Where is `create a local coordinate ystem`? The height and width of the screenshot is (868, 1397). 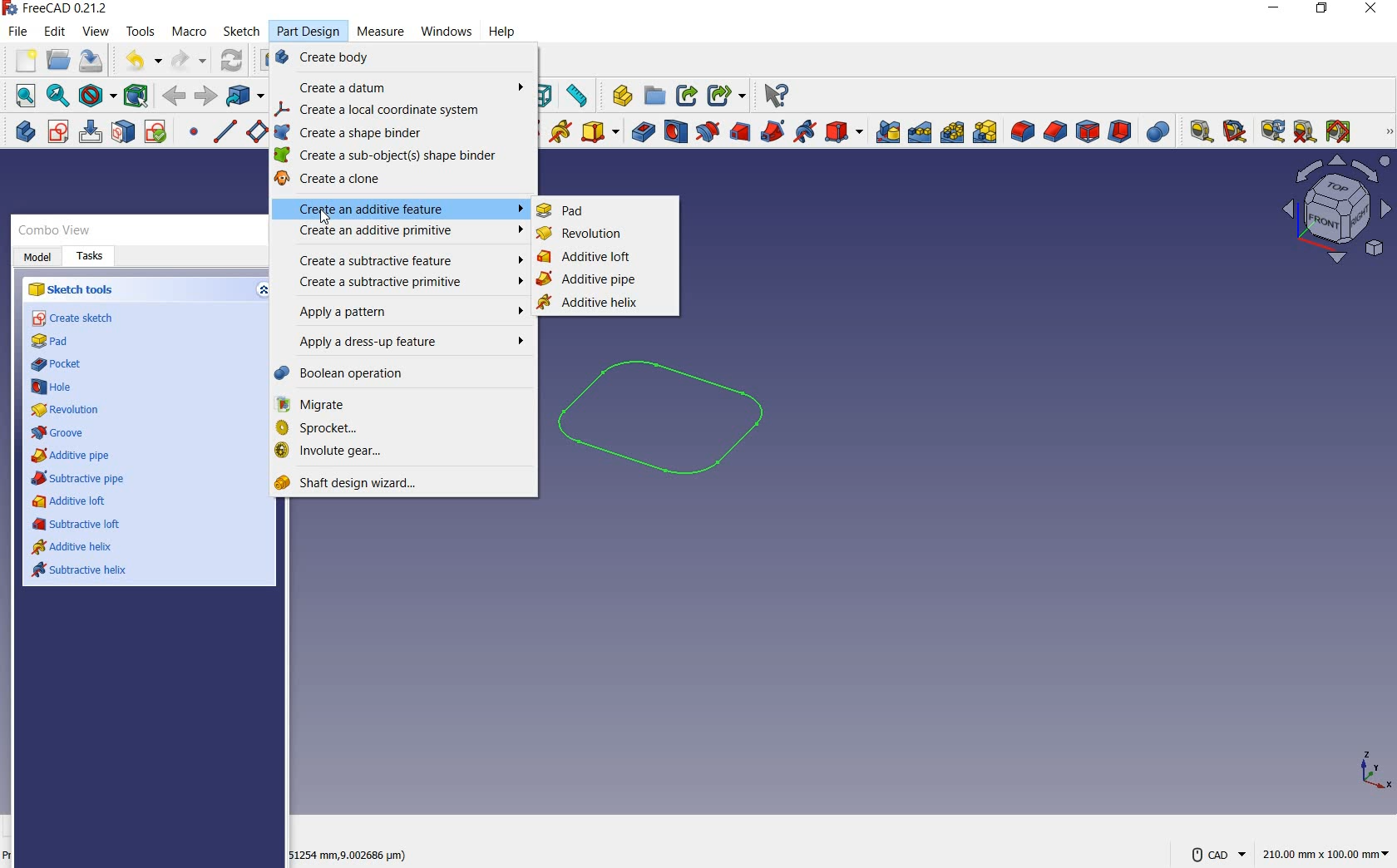
create a local coordinate ystem is located at coordinates (402, 111).